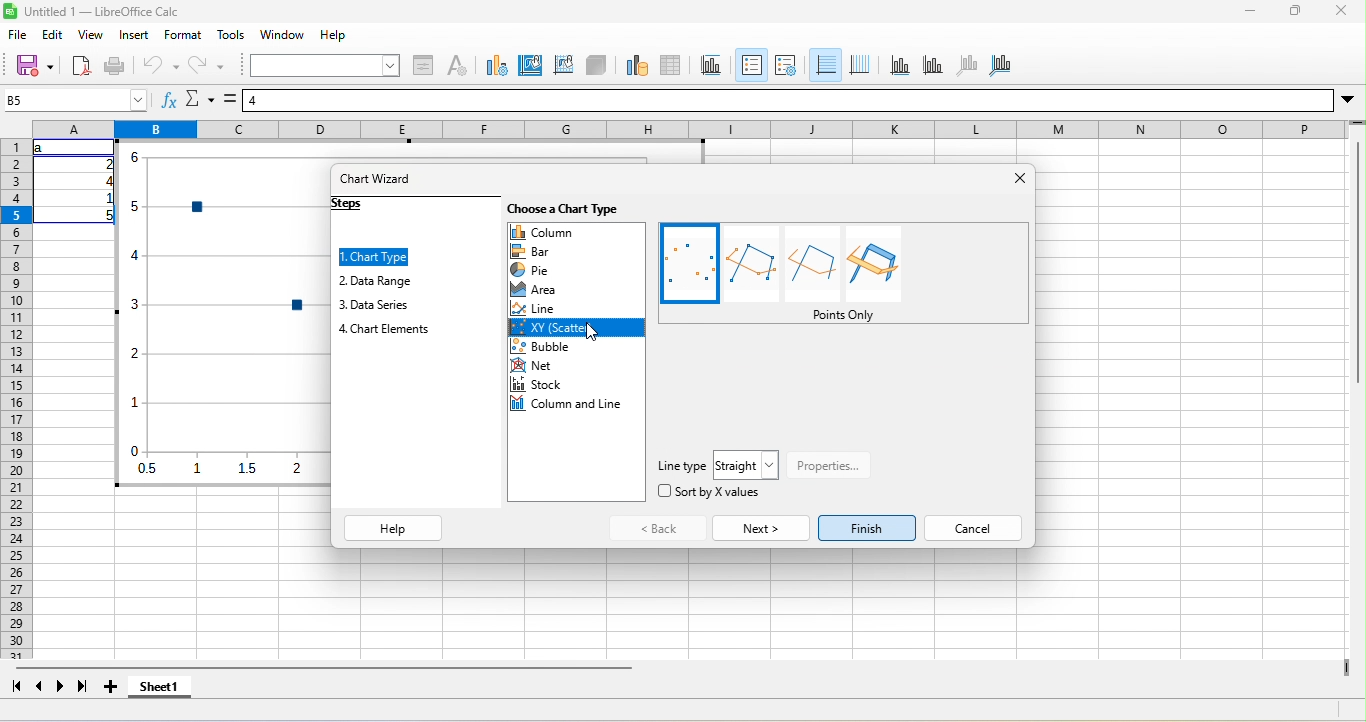 This screenshot has height=722, width=1366. I want to click on edit, so click(53, 35).